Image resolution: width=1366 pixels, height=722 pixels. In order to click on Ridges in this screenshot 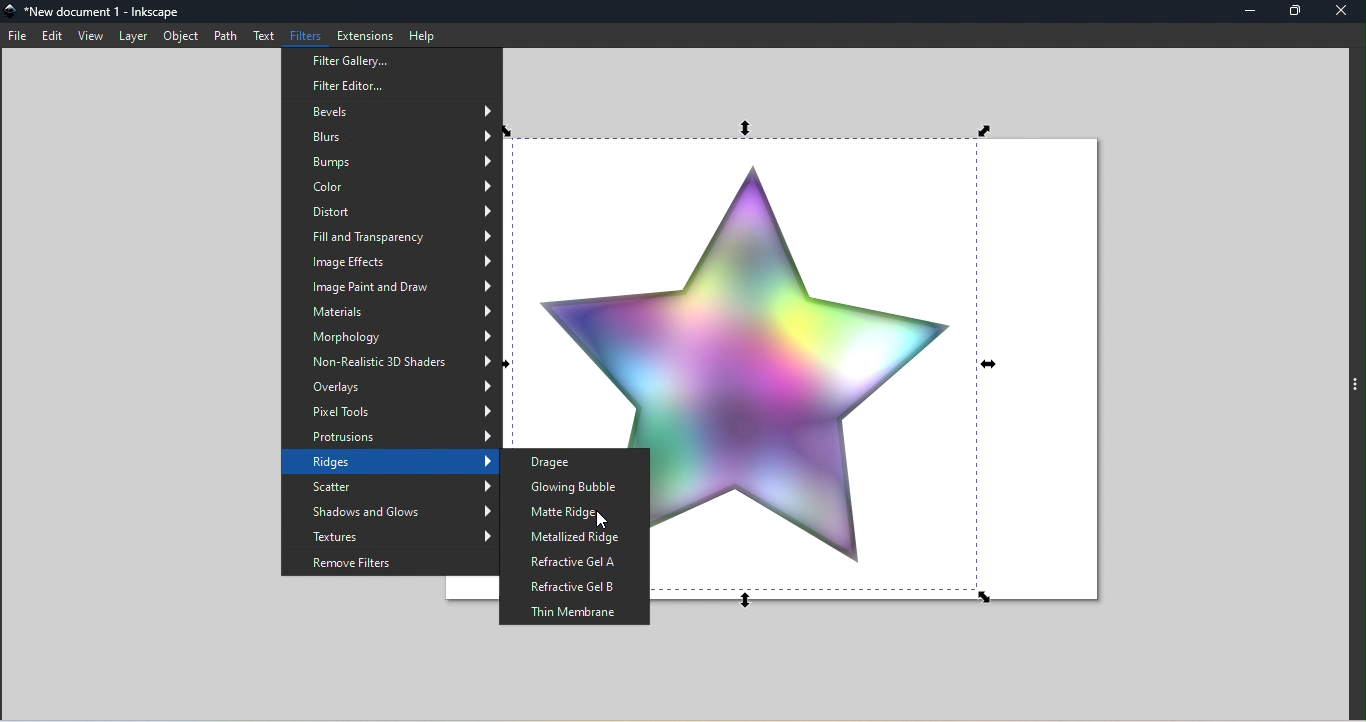, I will do `click(389, 464)`.